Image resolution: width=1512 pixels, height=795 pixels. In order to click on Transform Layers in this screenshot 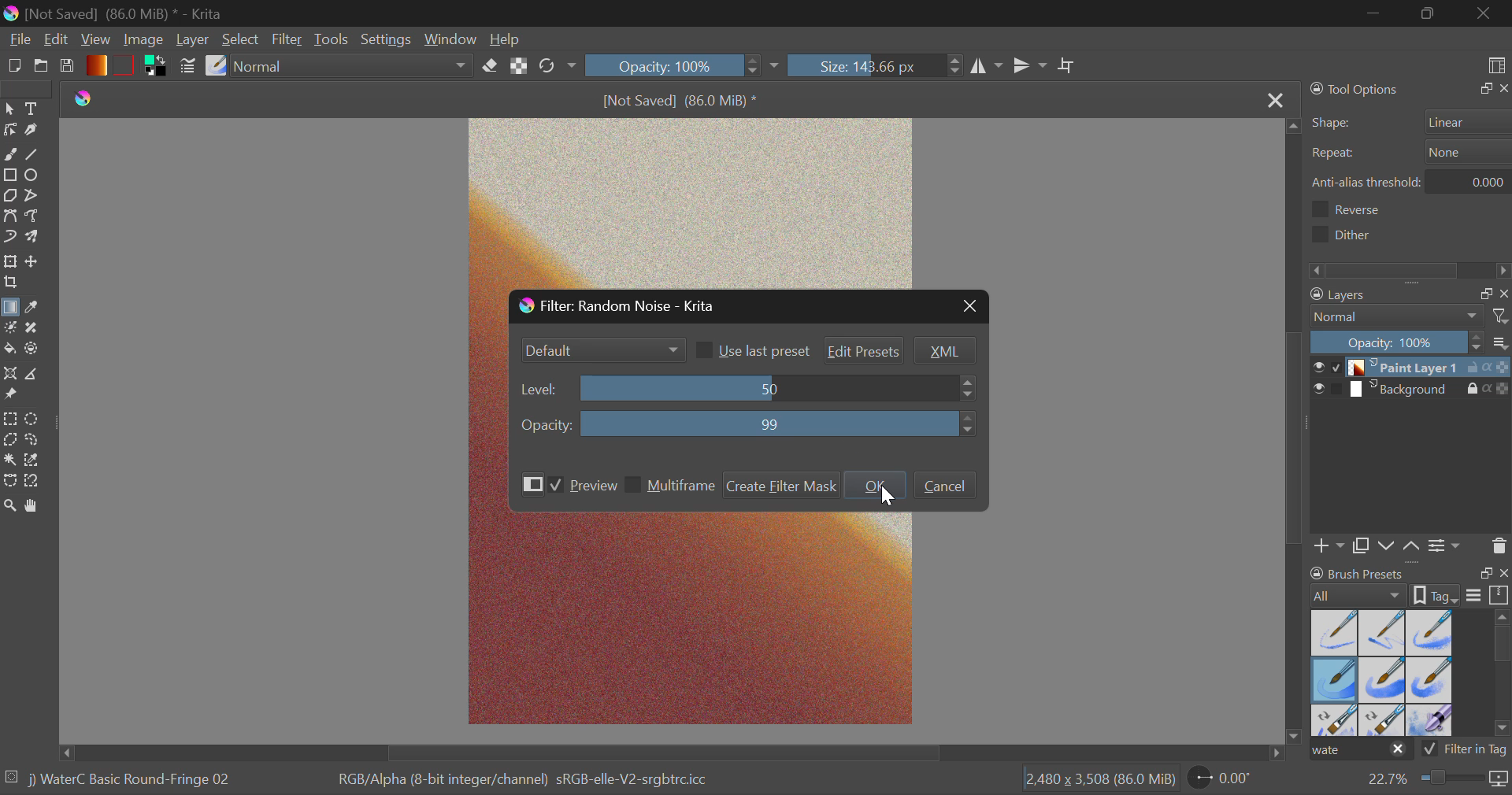, I will do `click(9, 261)`.